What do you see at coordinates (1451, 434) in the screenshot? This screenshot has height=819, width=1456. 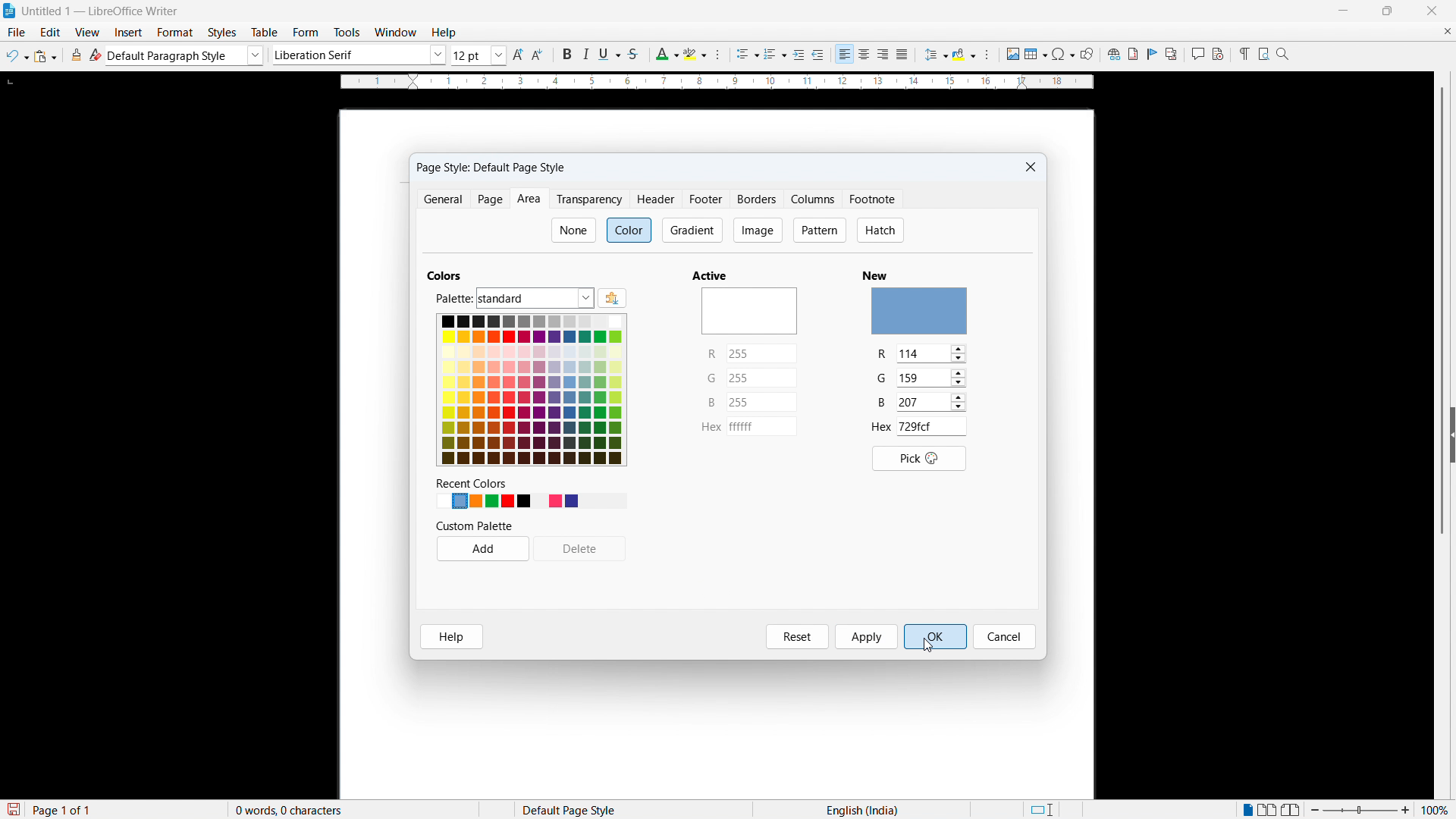 I see `expand sidebar` at bounding box center [1451, 434].